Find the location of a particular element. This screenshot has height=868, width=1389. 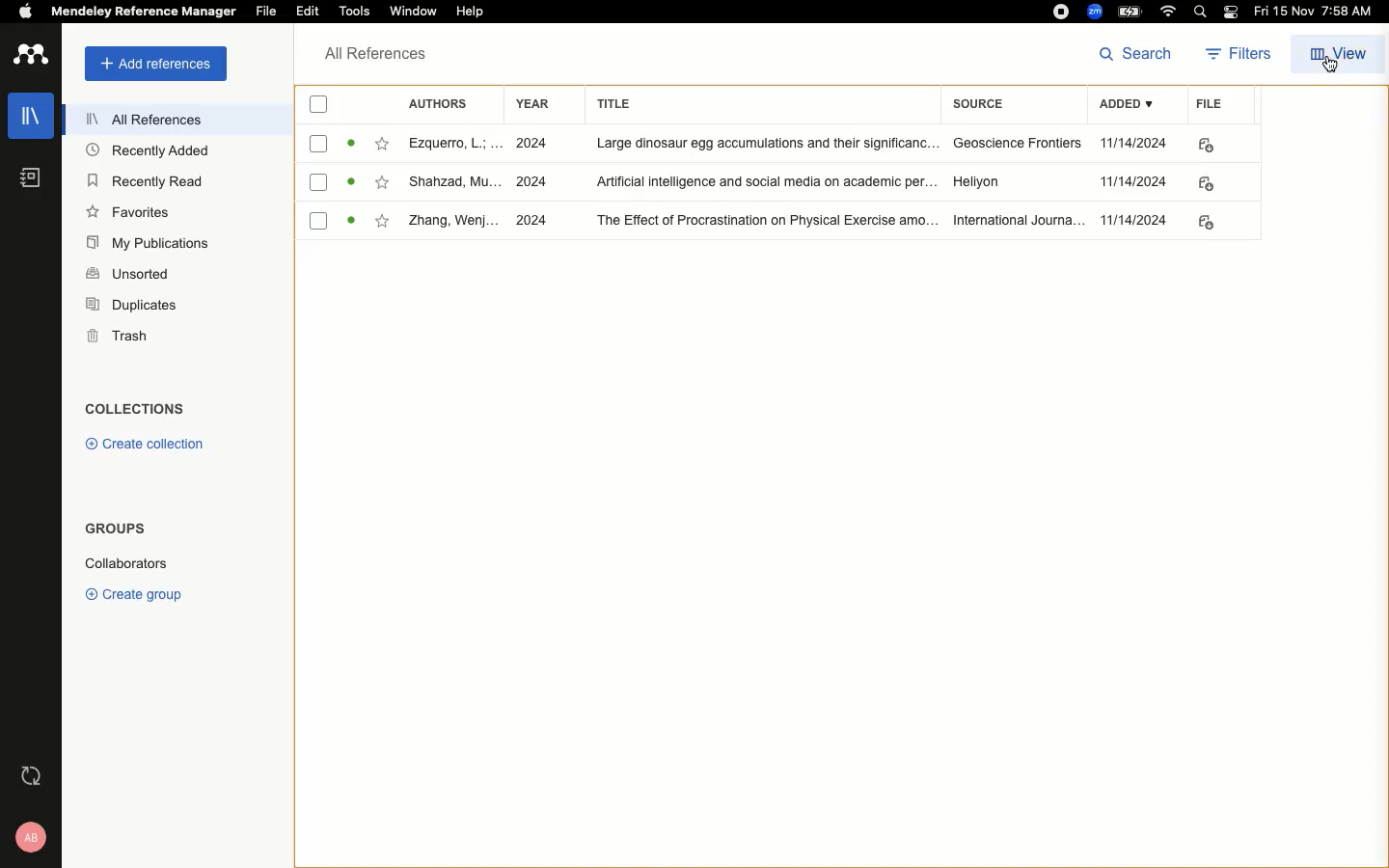

Internet is located at coordinates (1168, 13).